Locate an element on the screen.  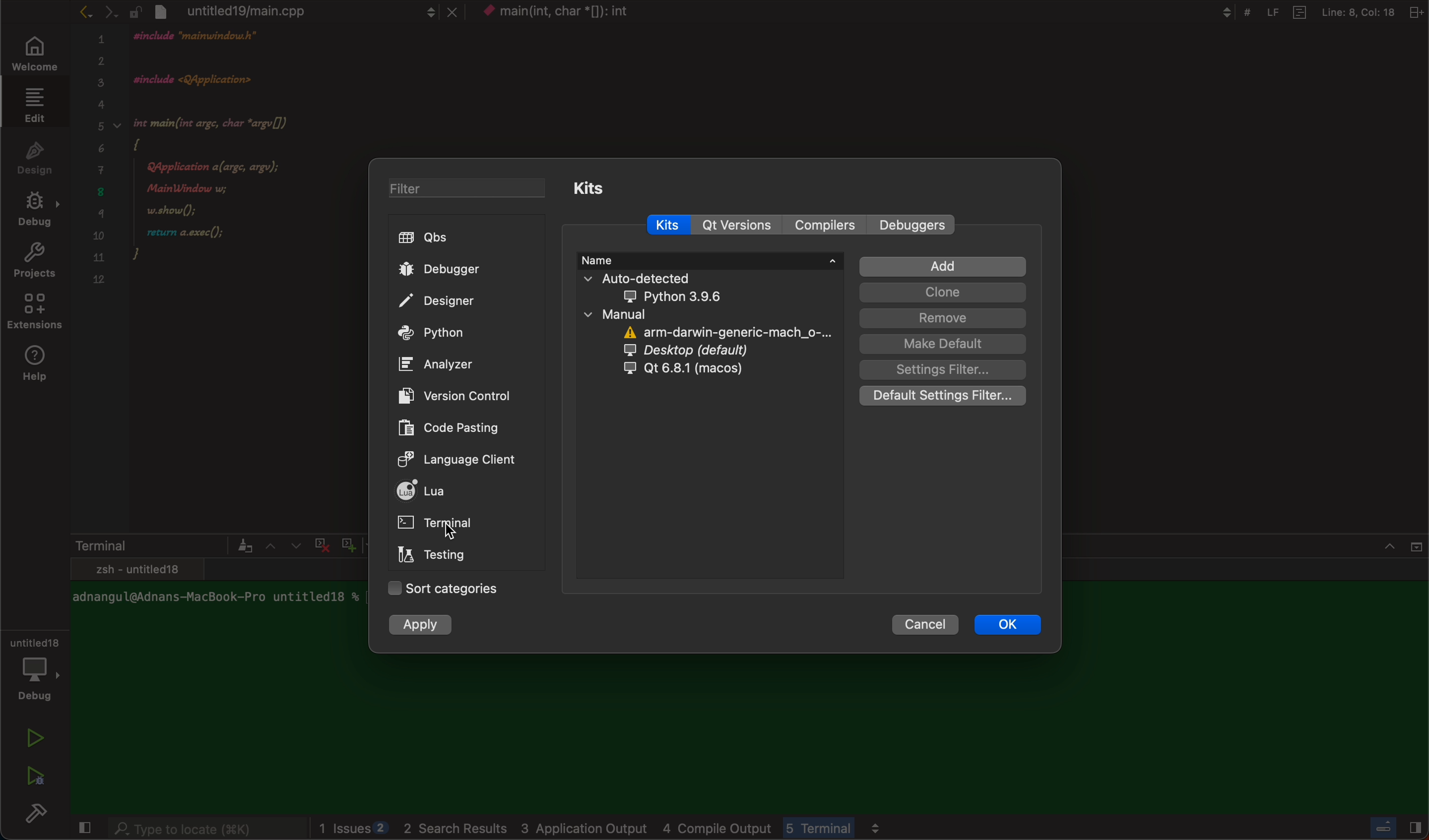
design is located at coordinates (35, 156).